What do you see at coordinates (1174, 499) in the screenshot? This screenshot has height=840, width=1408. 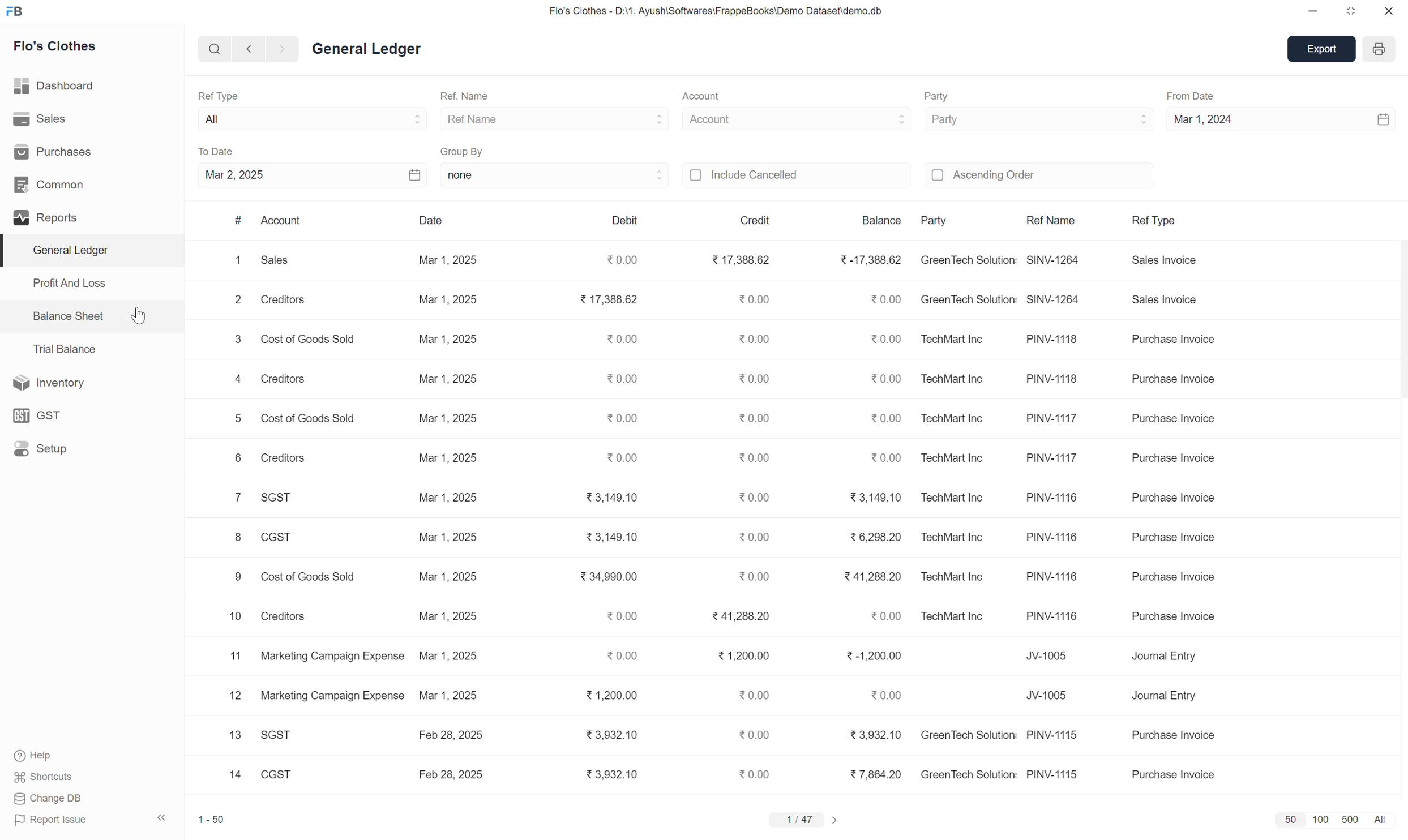 I see `purchase invoice` at bounding box center [1174, 499].